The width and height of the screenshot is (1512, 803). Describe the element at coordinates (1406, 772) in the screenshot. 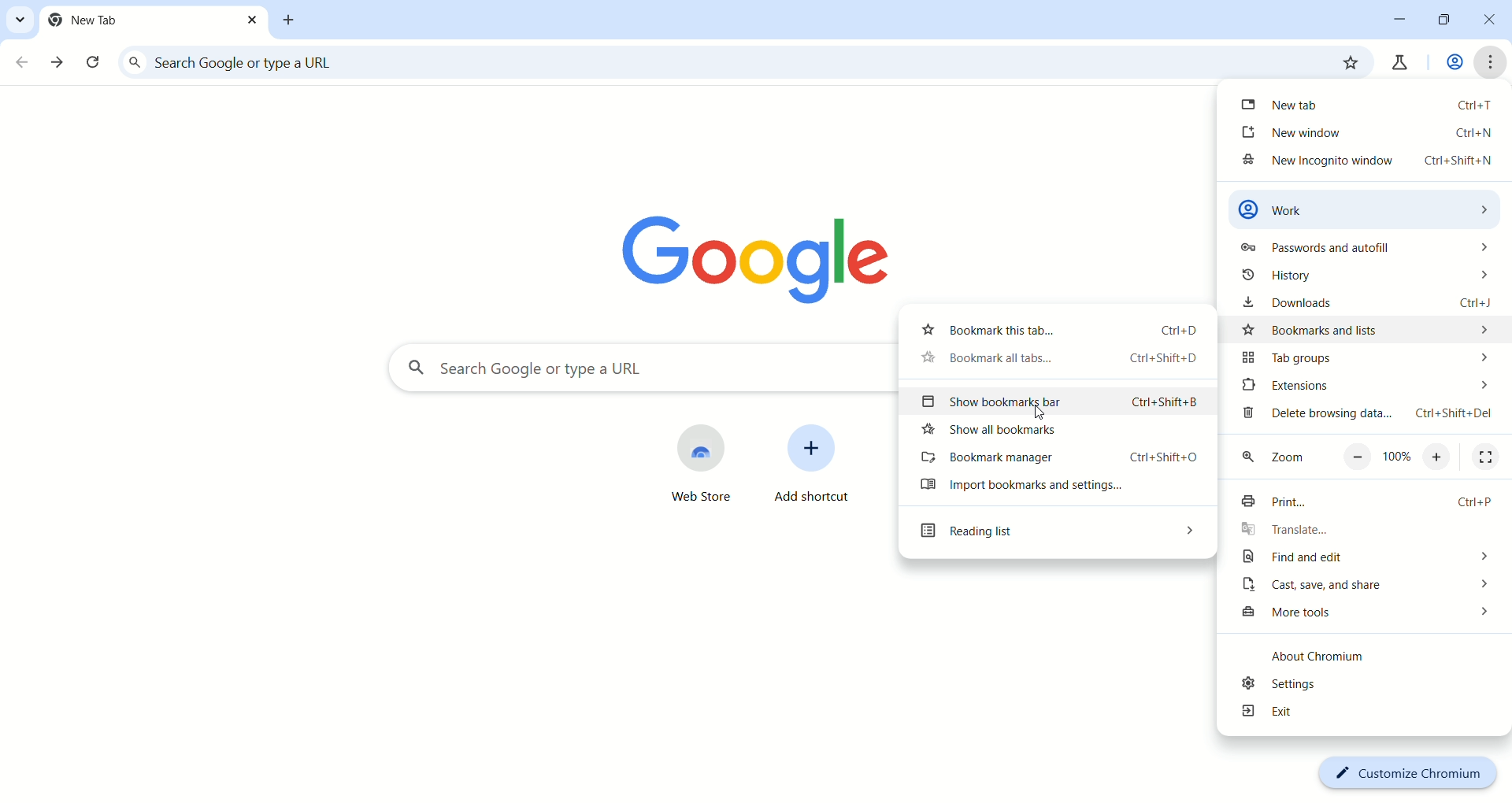

I see `customize chromium` at that location.